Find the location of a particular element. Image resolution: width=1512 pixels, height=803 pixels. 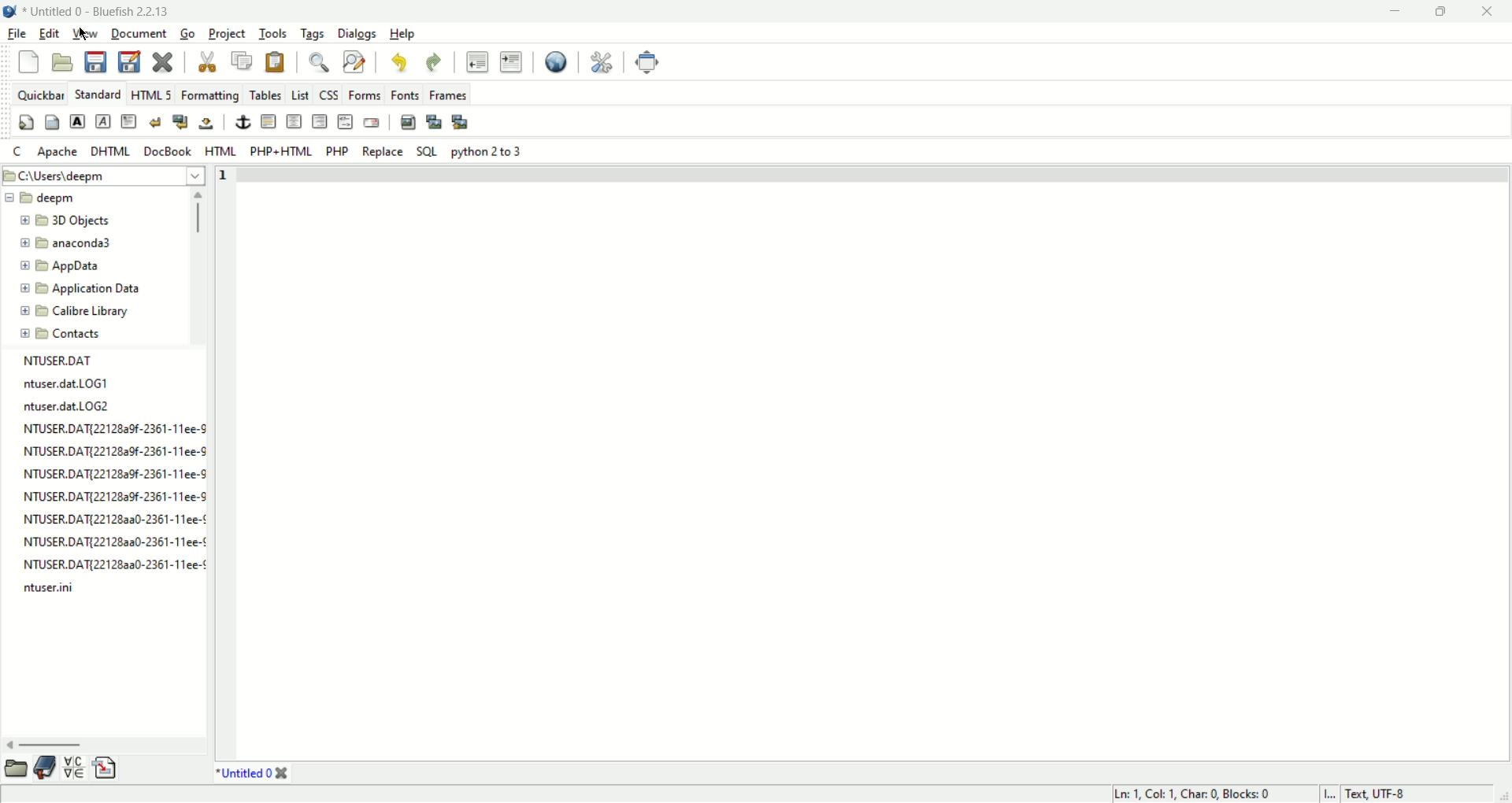

strong is located at coordinates (76, 122).